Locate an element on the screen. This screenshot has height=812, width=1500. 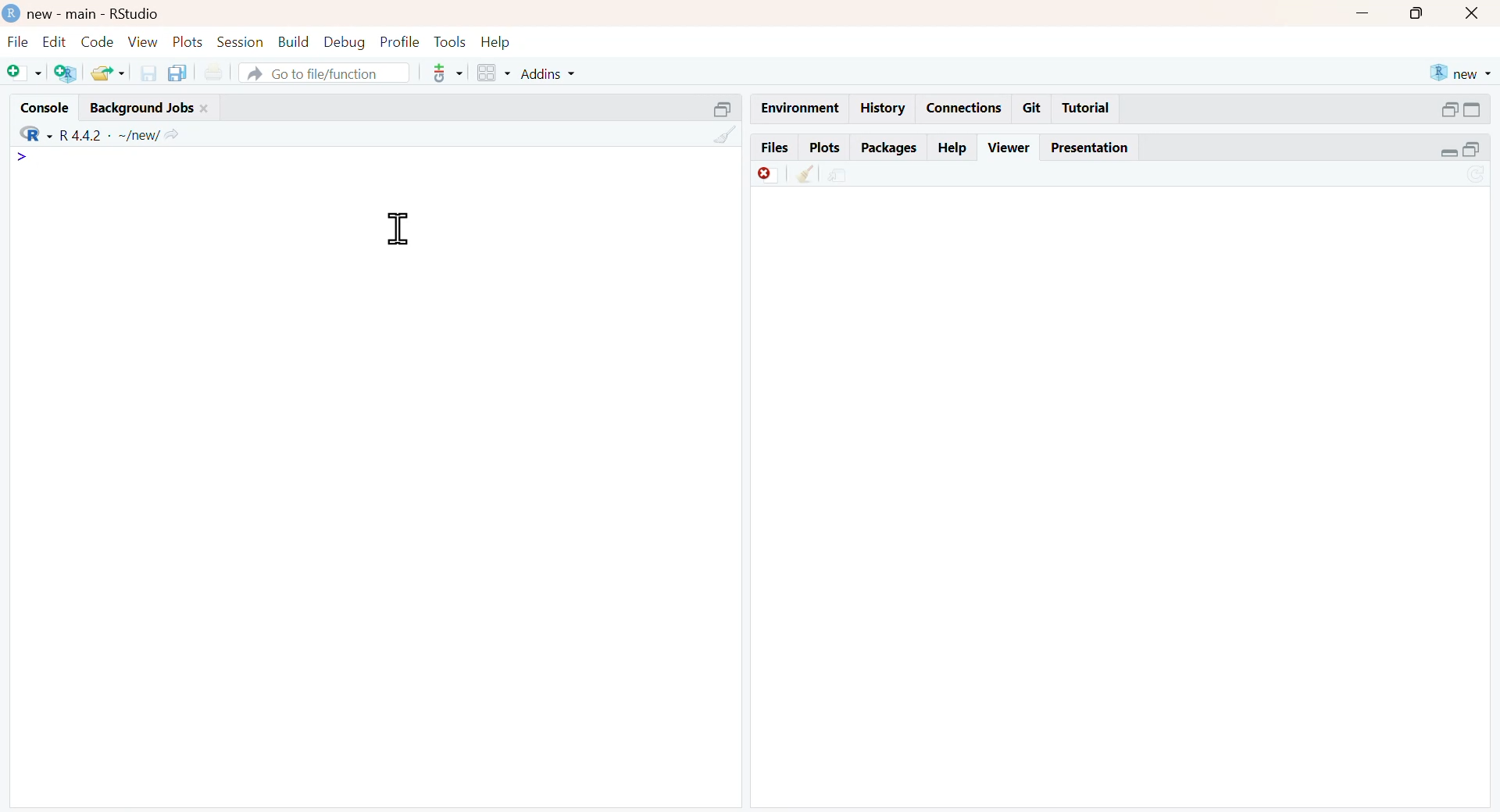
Help is located at coordinates (953, 147).